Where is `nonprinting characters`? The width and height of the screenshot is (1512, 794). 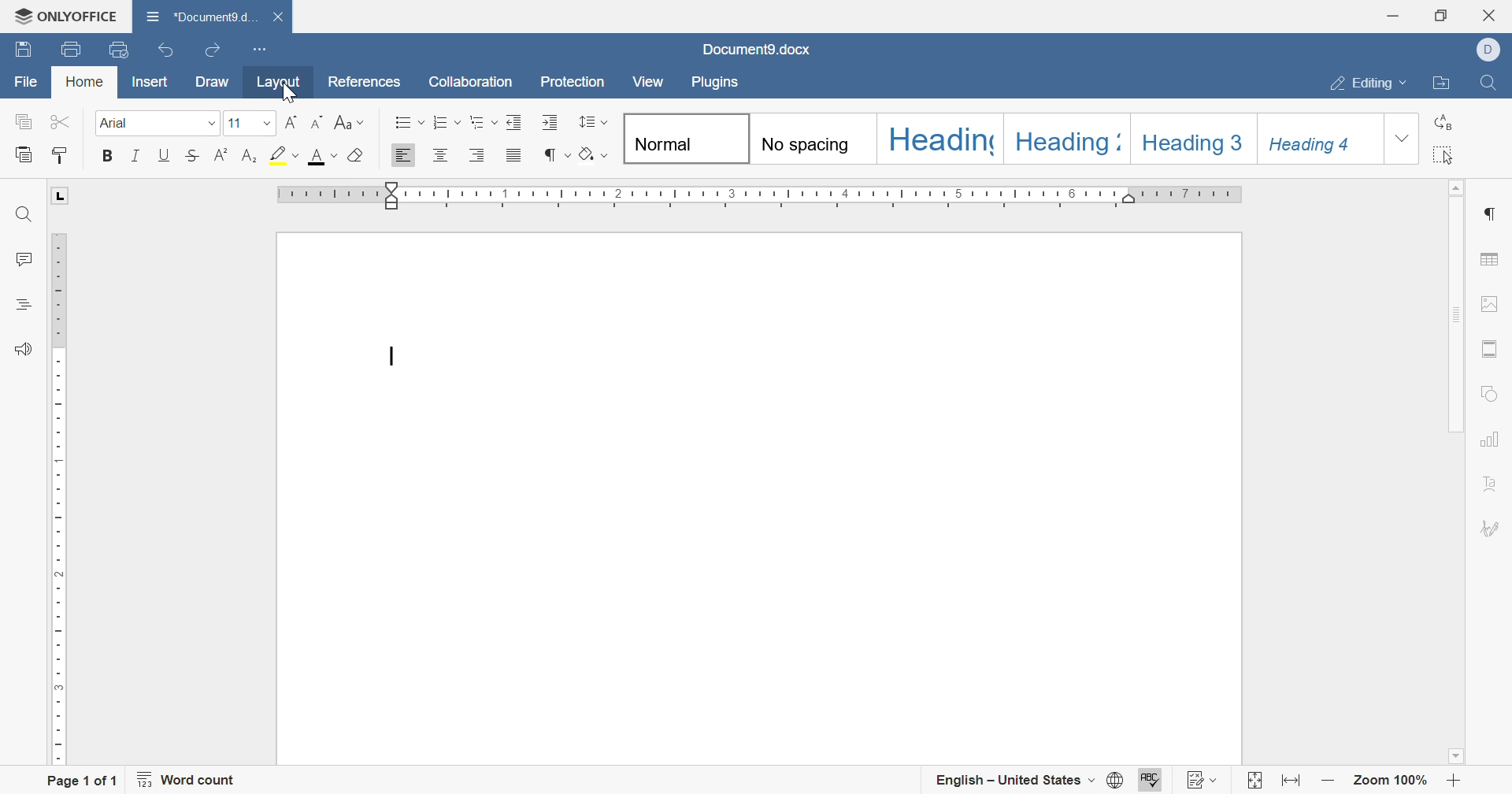 nonprinting characters is located at coordinates (556, 155).